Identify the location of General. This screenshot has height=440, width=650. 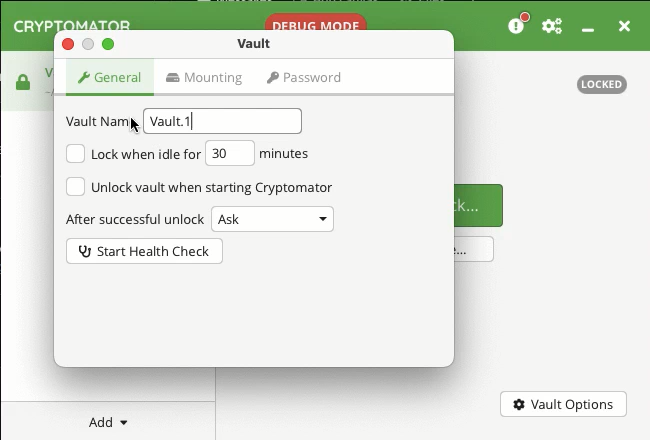
(109, 75).